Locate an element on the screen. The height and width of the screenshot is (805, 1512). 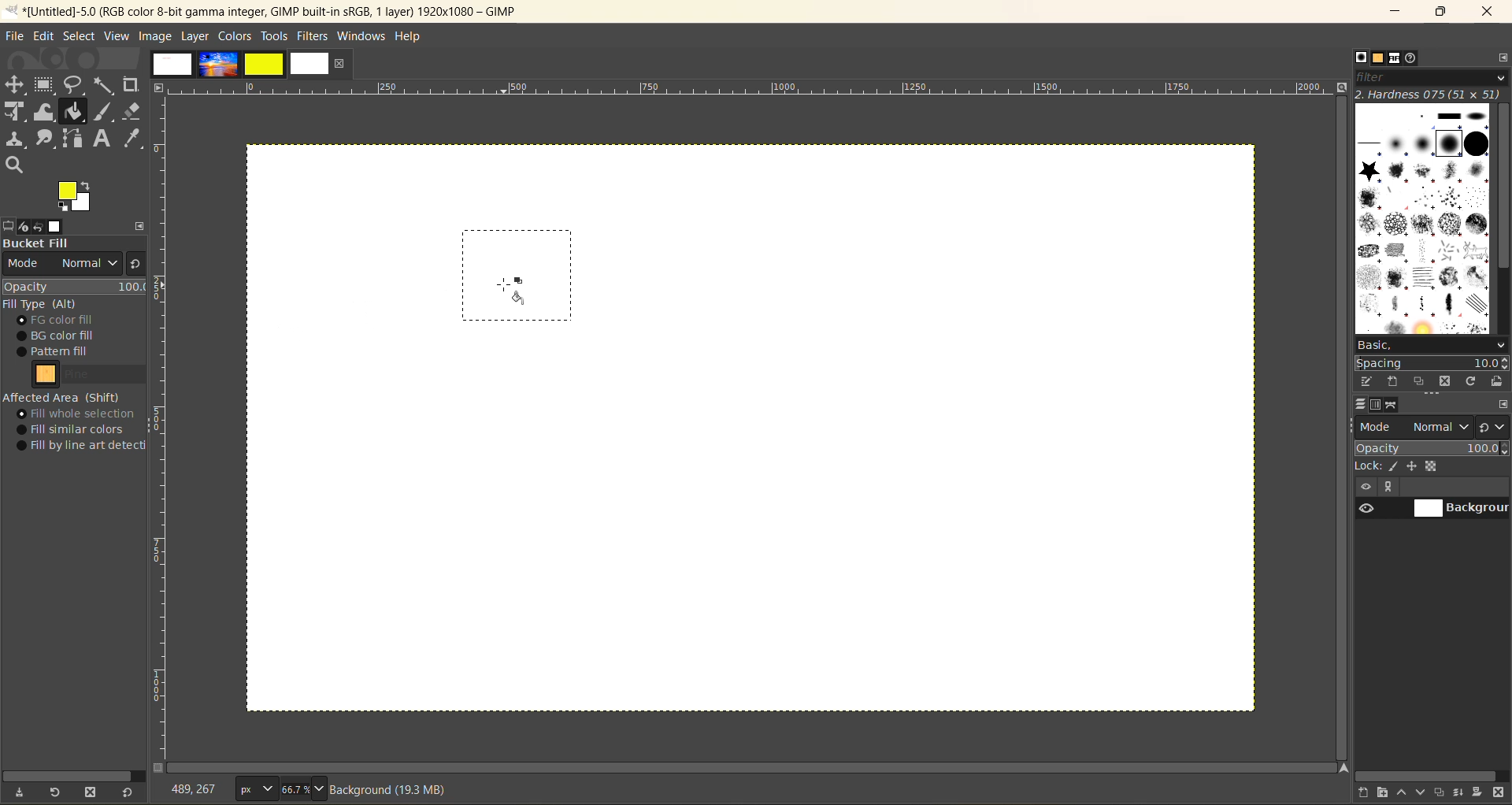
brushes is located at coordinates (1421, 220).